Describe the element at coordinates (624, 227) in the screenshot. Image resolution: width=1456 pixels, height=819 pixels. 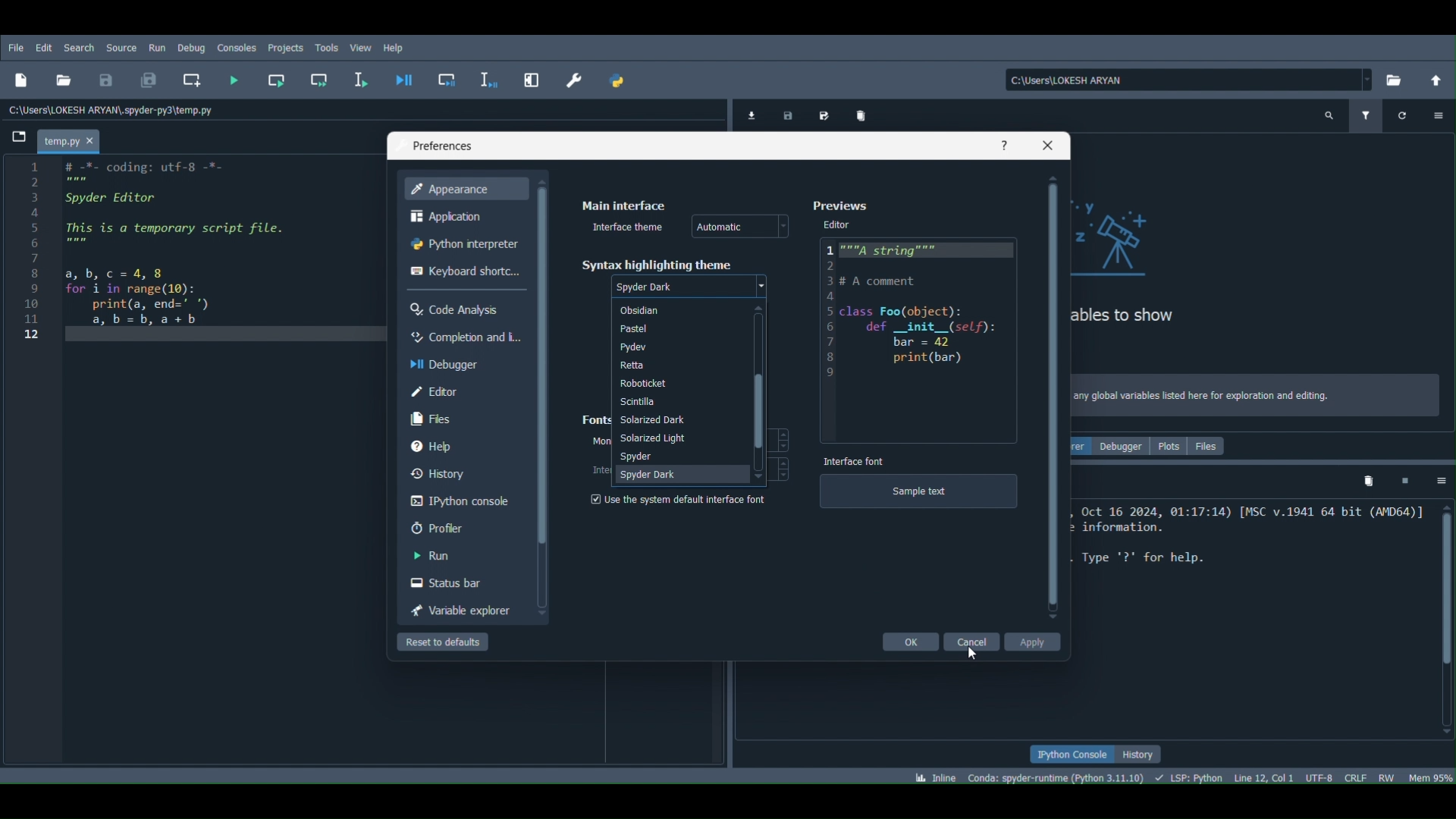
I see `Interface theme` at that location.